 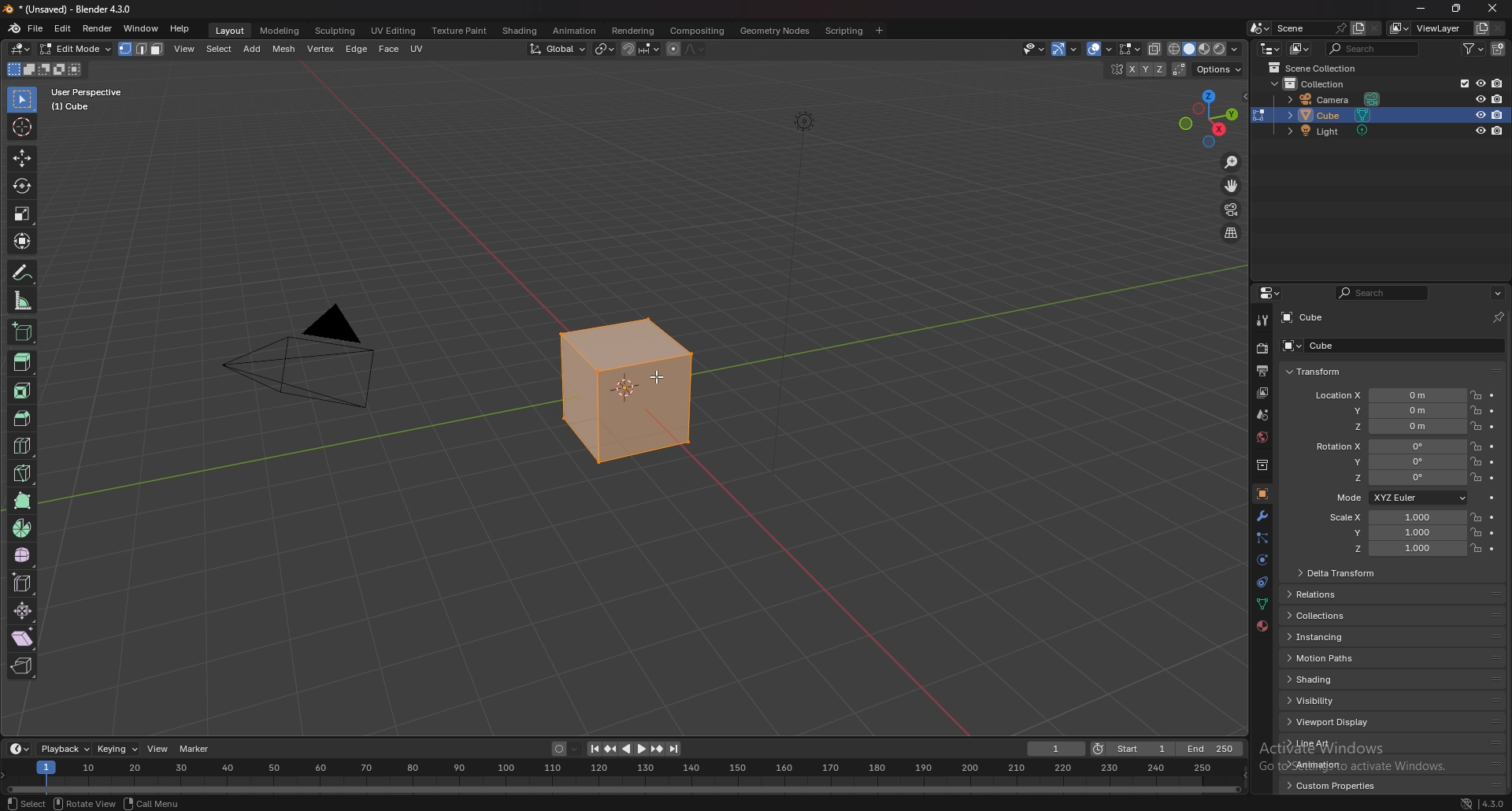 I want to click on rotation y, so click(x=1388, y=462).